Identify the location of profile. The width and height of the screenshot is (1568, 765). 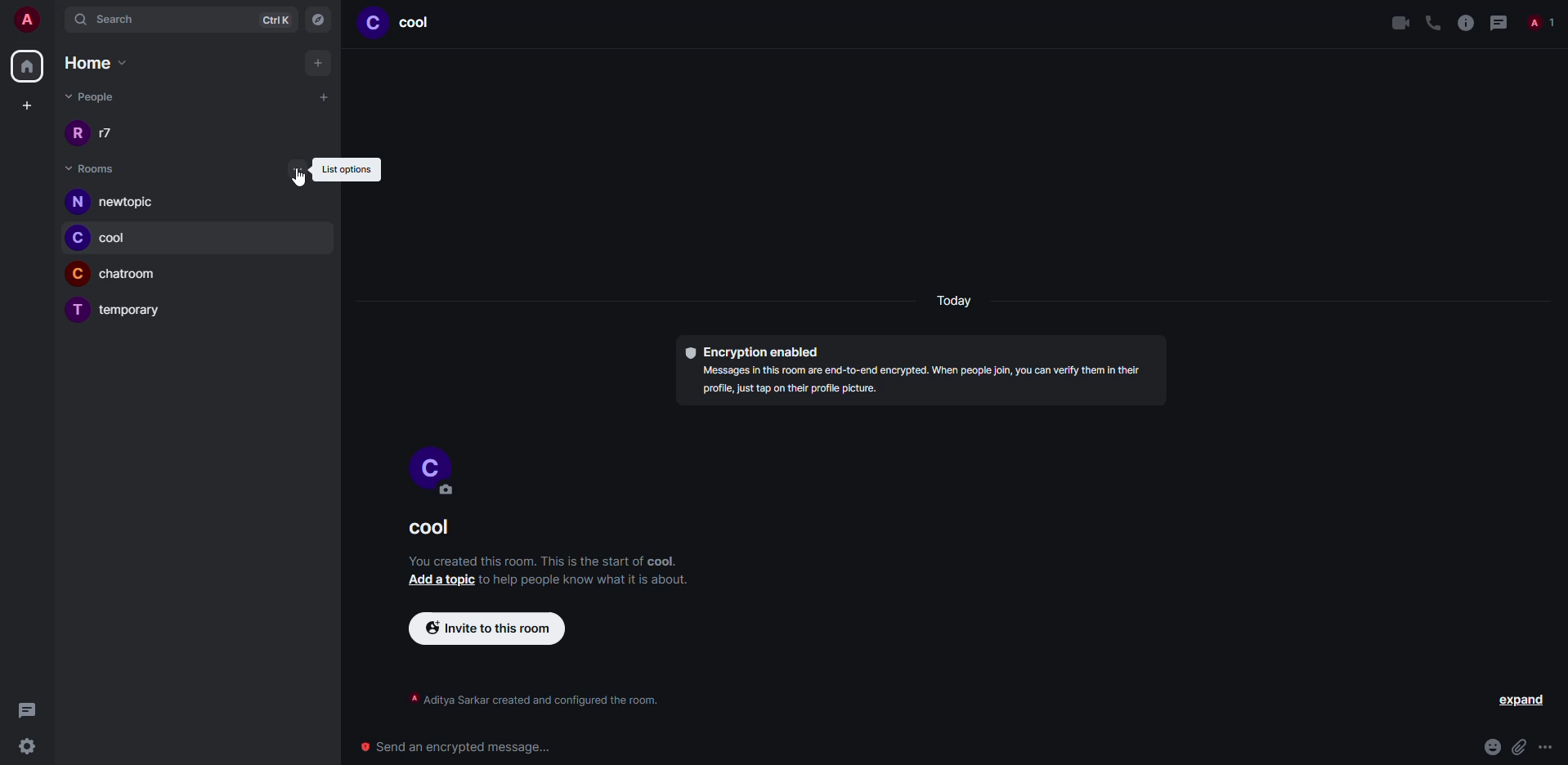
(76, 134).